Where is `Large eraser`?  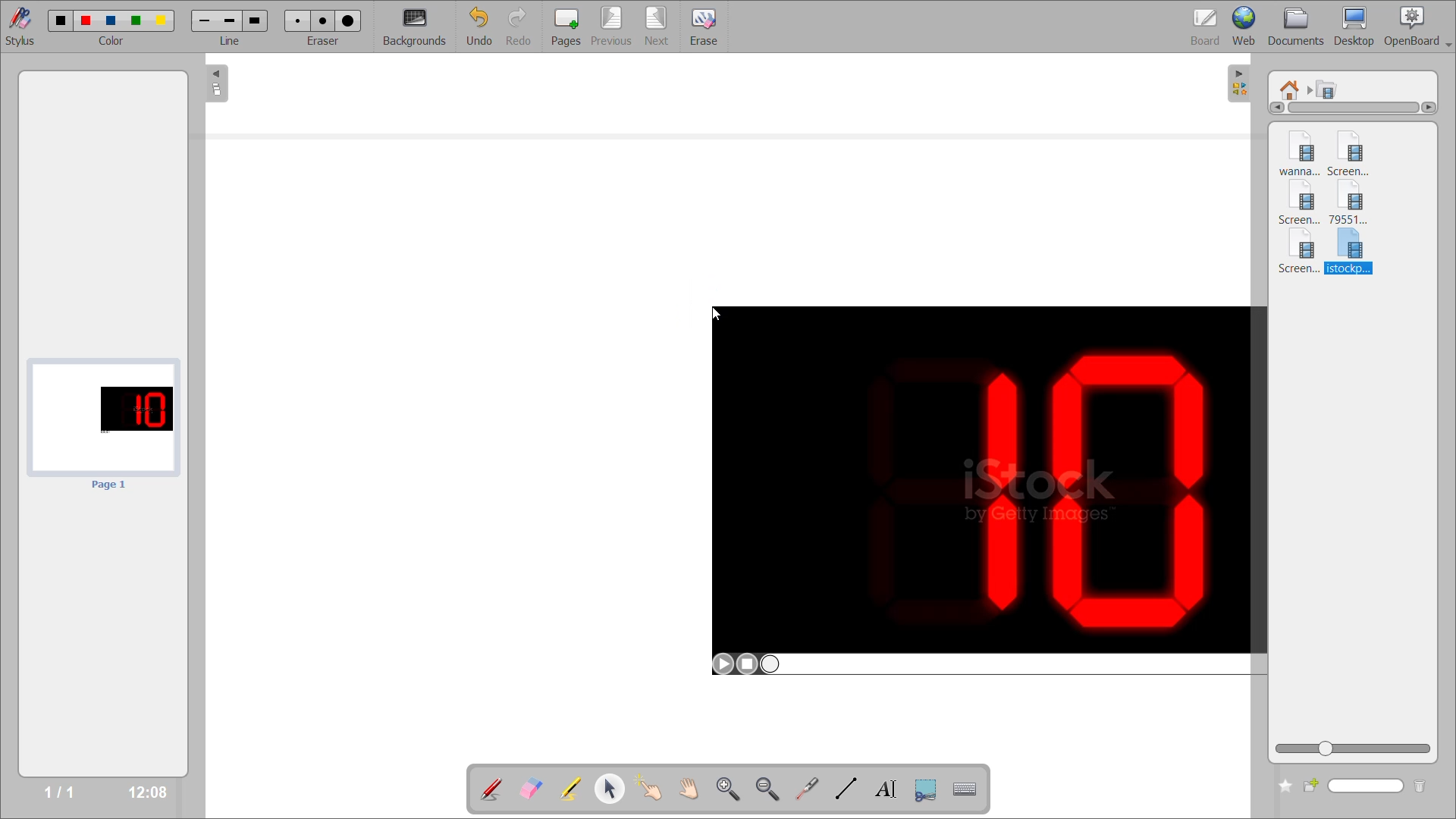
Large eraser is located at coordinates (348, 20).